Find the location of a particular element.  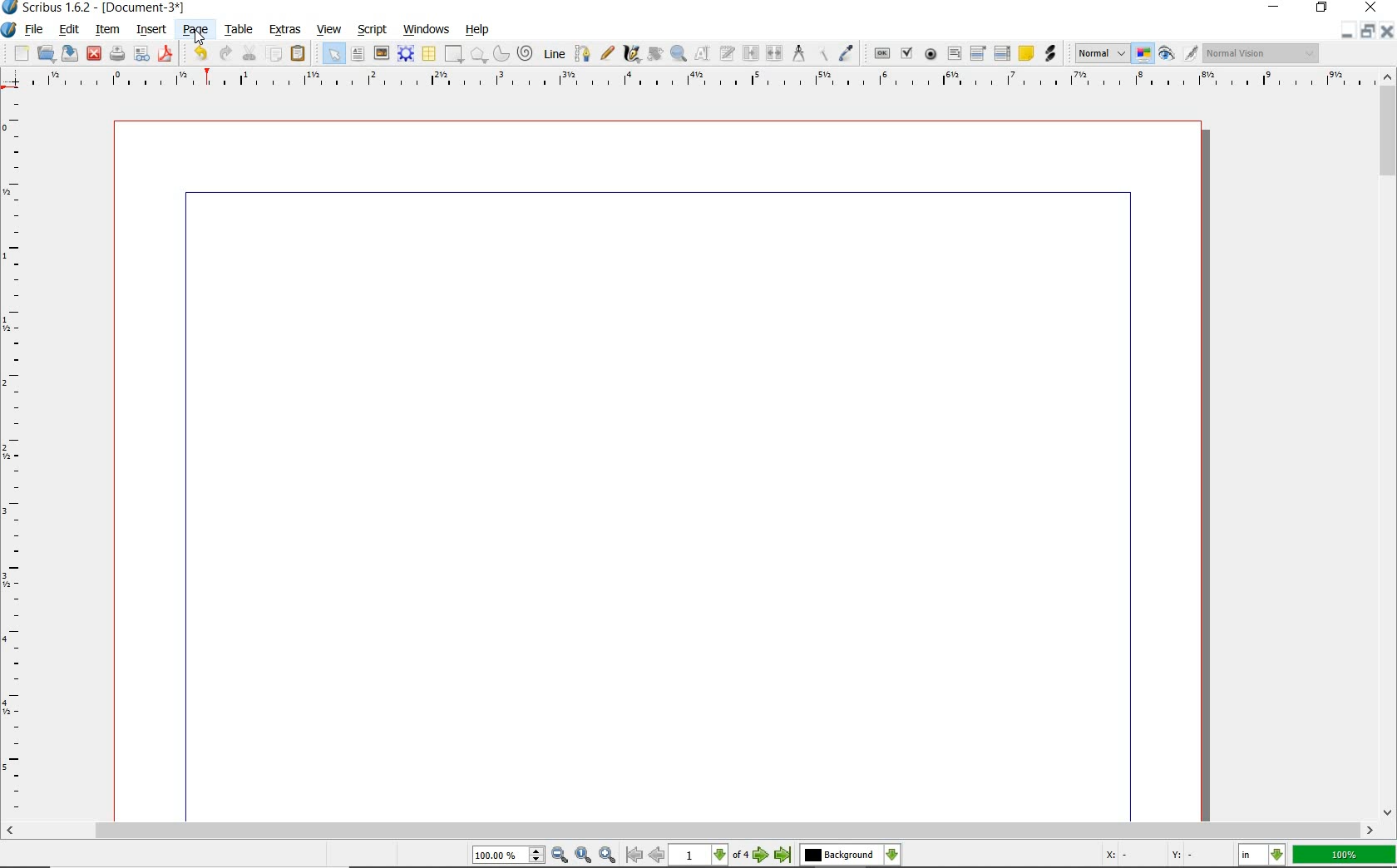

edit text with story editor is located at coordinates (726, 53).